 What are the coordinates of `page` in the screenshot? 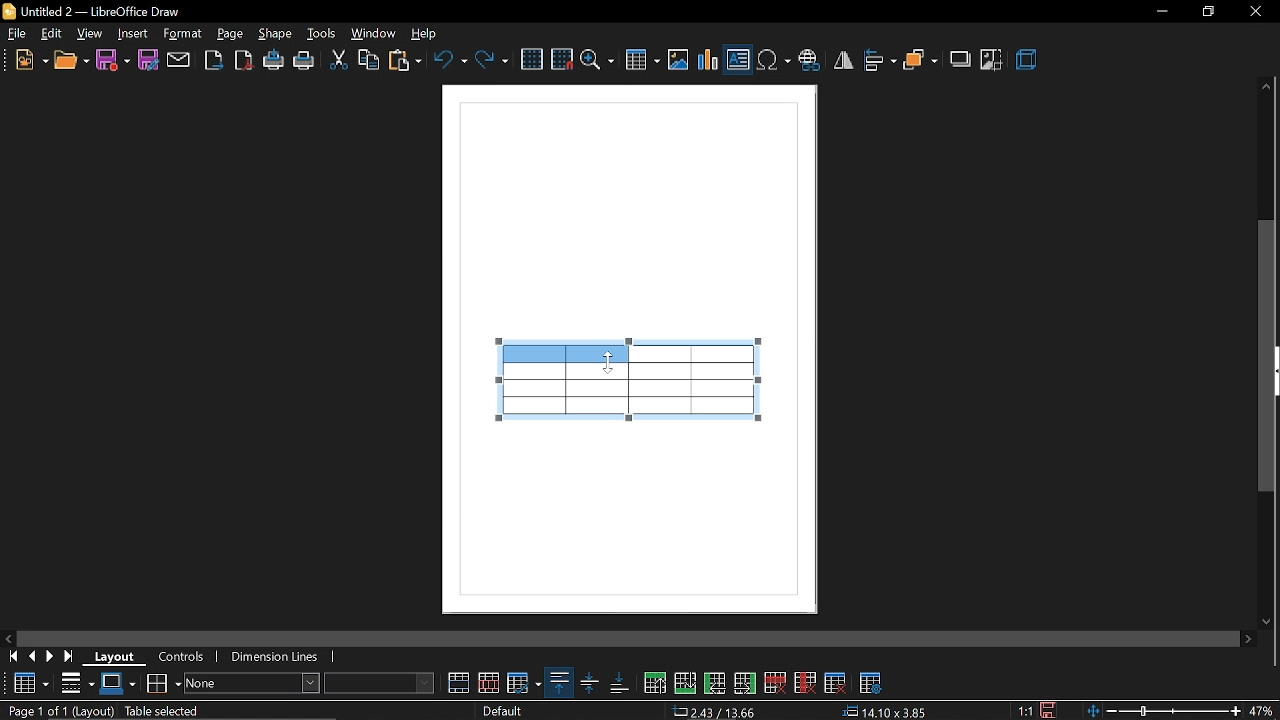 It's located at (230, 30).